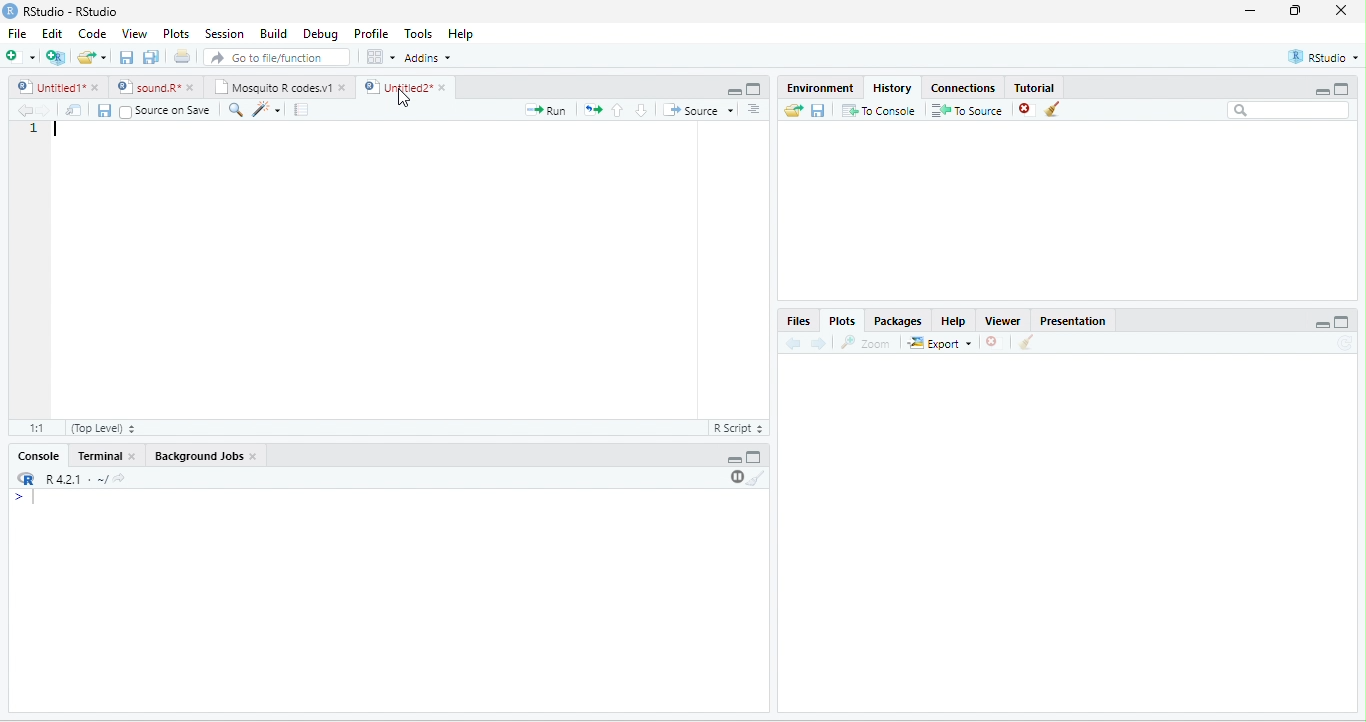  What do you see at coordinates (898, 322) in the screenshot?
I see `Packages` at bounding box center [898, 322].